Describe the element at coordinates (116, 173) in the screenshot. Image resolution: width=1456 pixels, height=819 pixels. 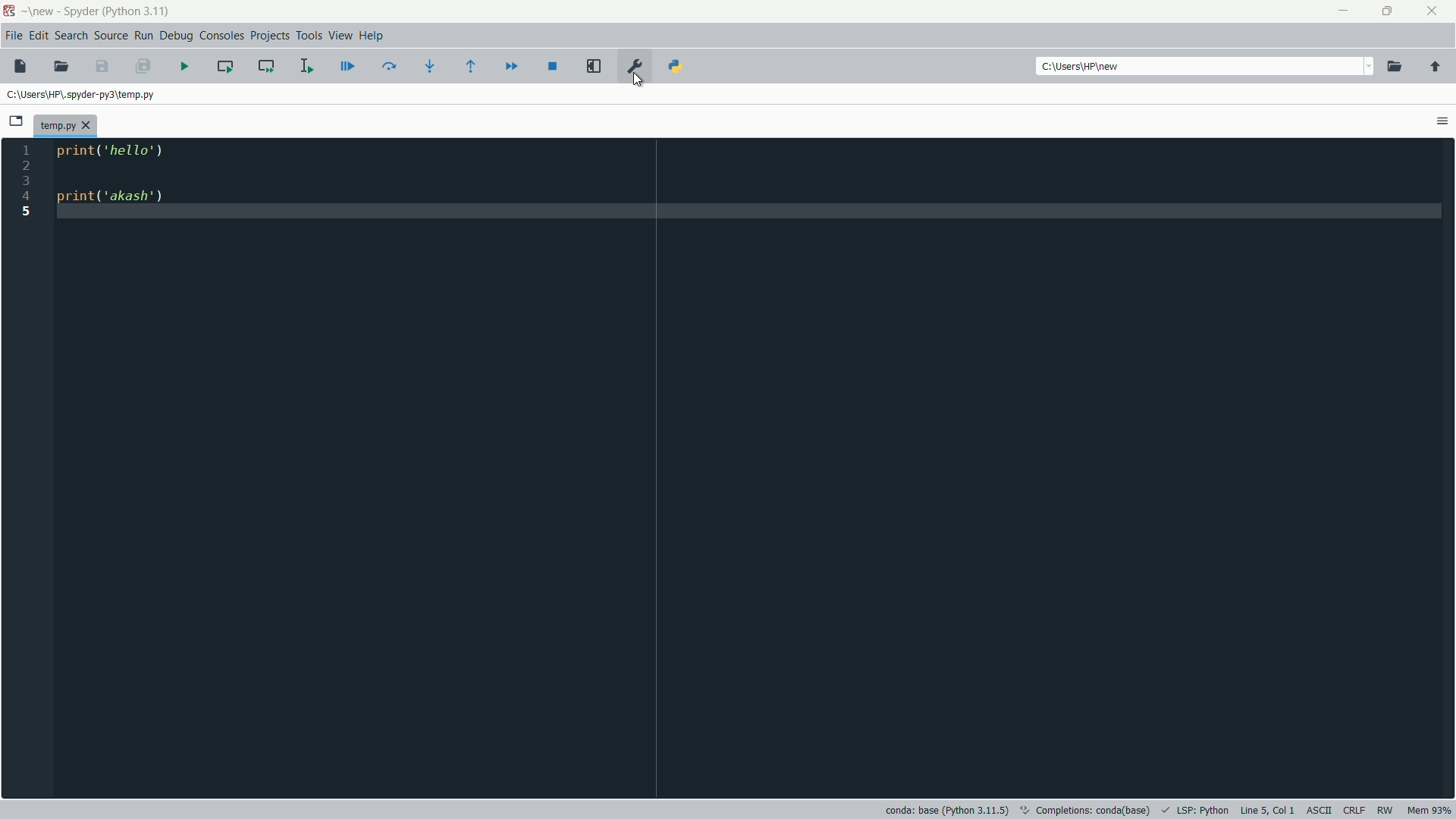
I see `pprint (‘hello’)orint(*akash')` at that location.